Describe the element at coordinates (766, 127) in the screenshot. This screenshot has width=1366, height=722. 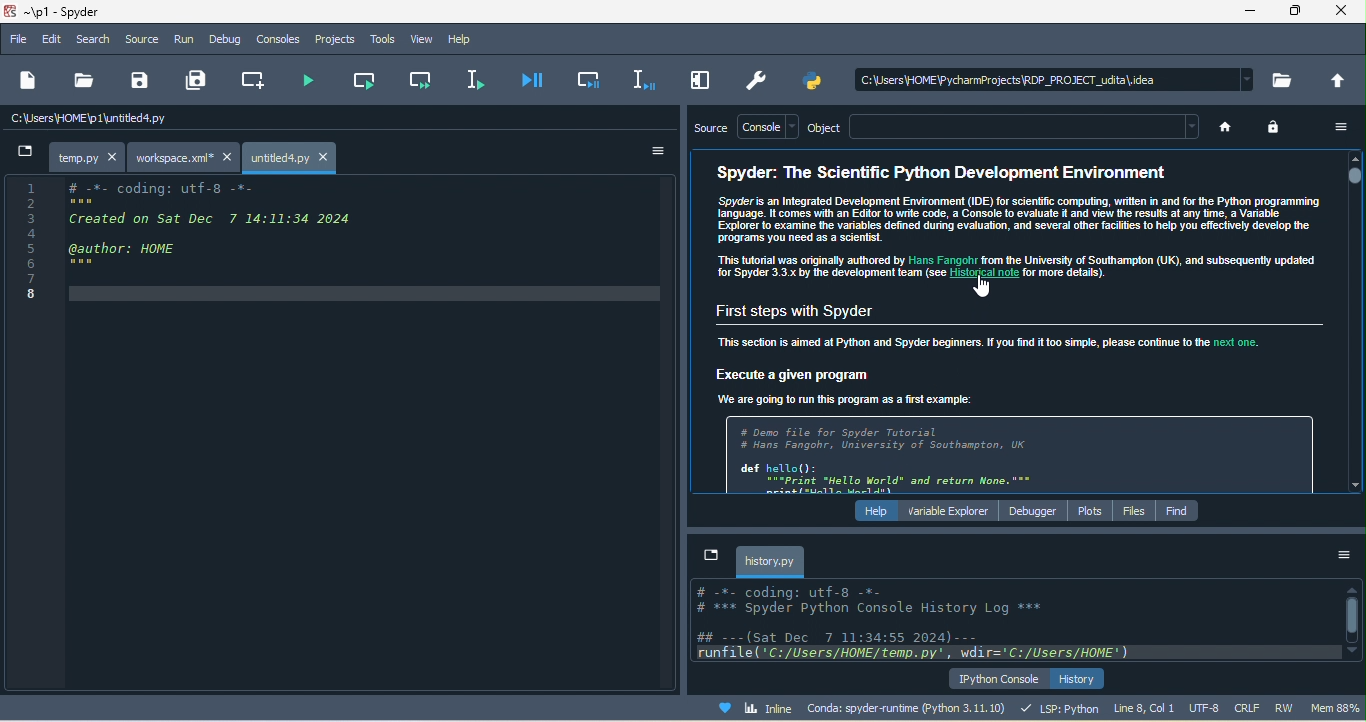
I see `console` at that location.